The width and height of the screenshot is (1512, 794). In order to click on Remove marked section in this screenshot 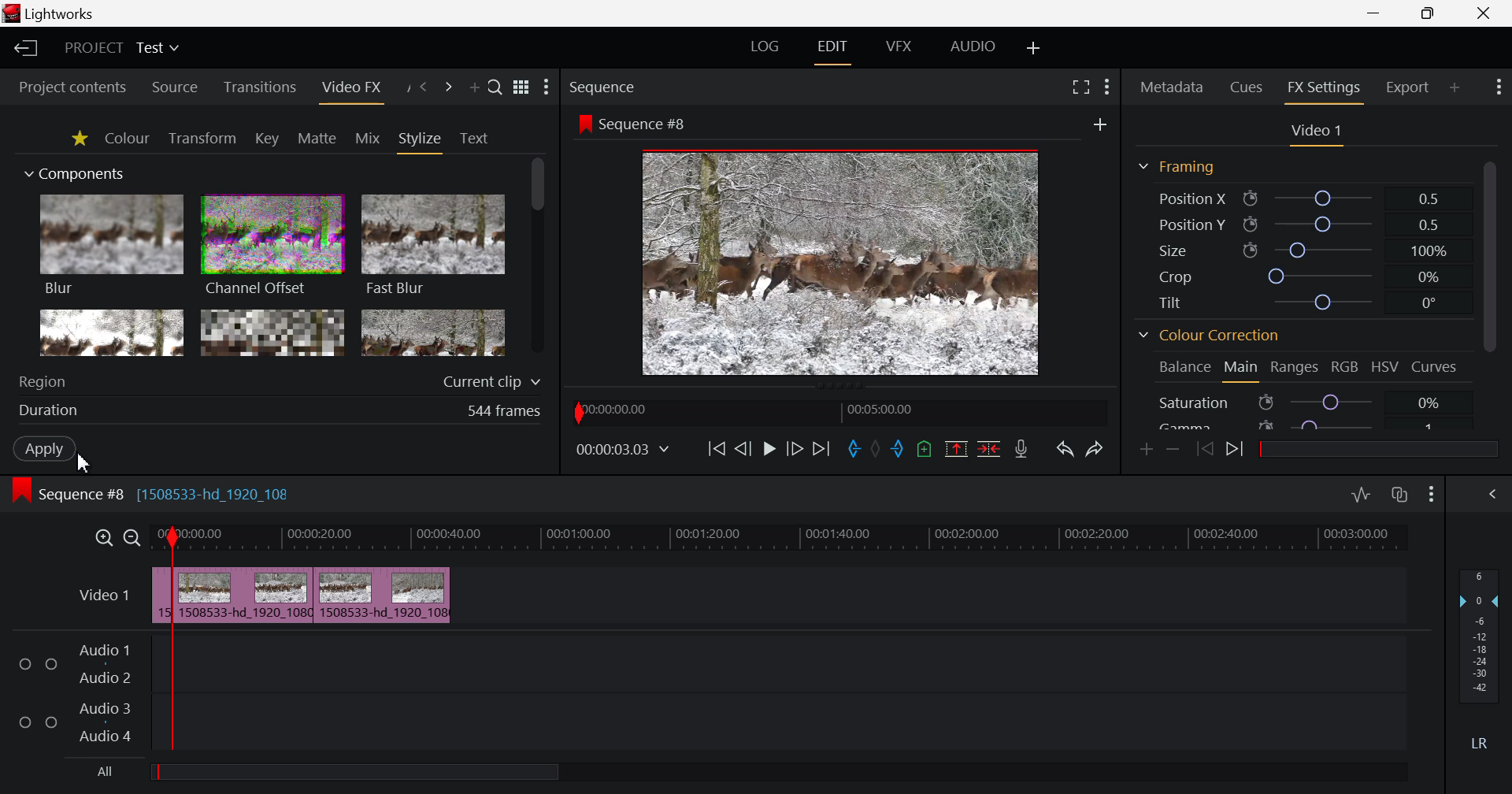, I will do `click(958, 451)`.